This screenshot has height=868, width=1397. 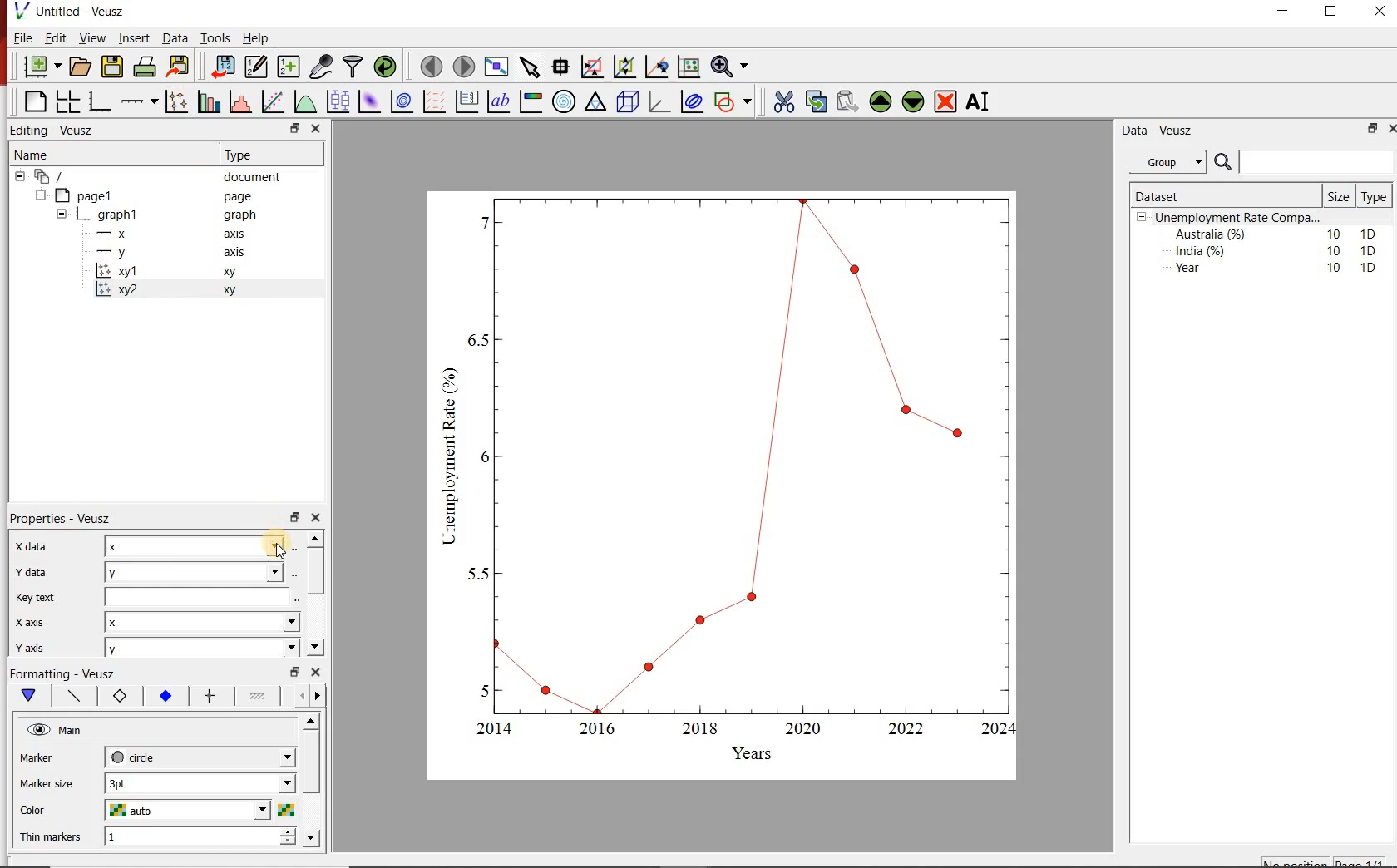 What do you see at coordinates (565, 102) in the screenshot?
I see `polar graph` at bounding box center [565, 102].